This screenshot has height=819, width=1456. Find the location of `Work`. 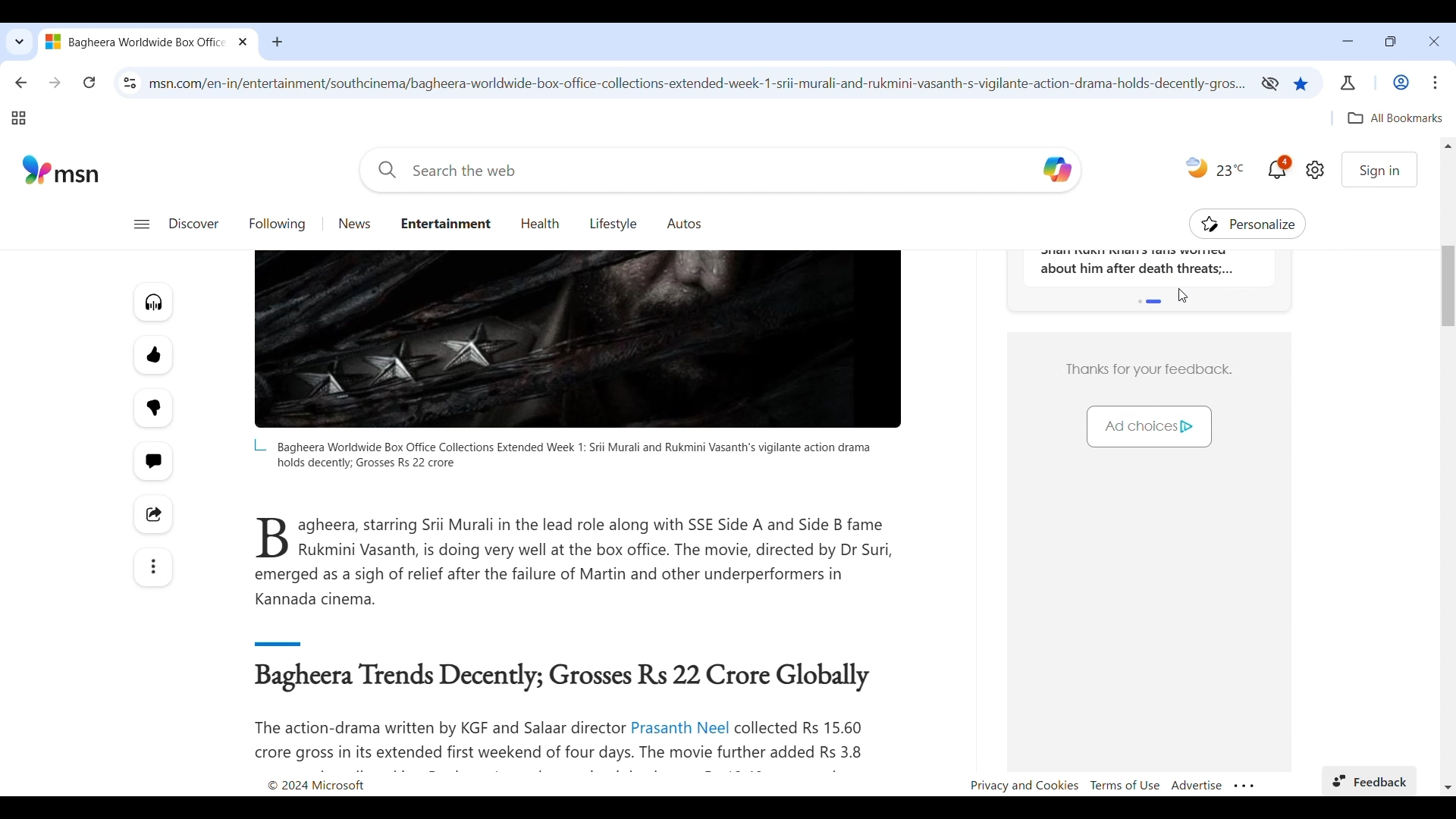

Work is located at coordinates (1401, 83).